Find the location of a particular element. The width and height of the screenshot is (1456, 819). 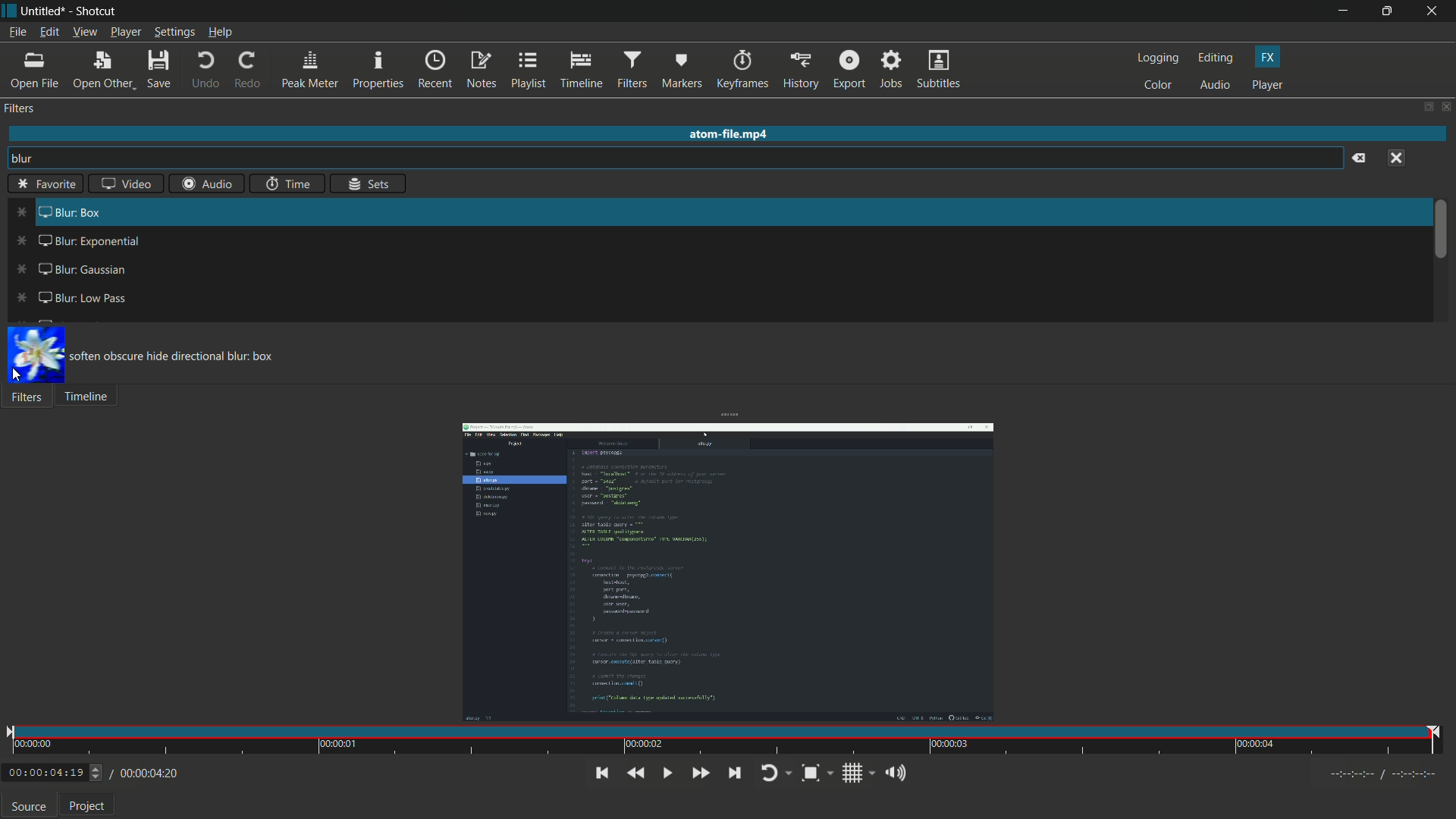

Scroll bar is located at coordinates (1442, 235).